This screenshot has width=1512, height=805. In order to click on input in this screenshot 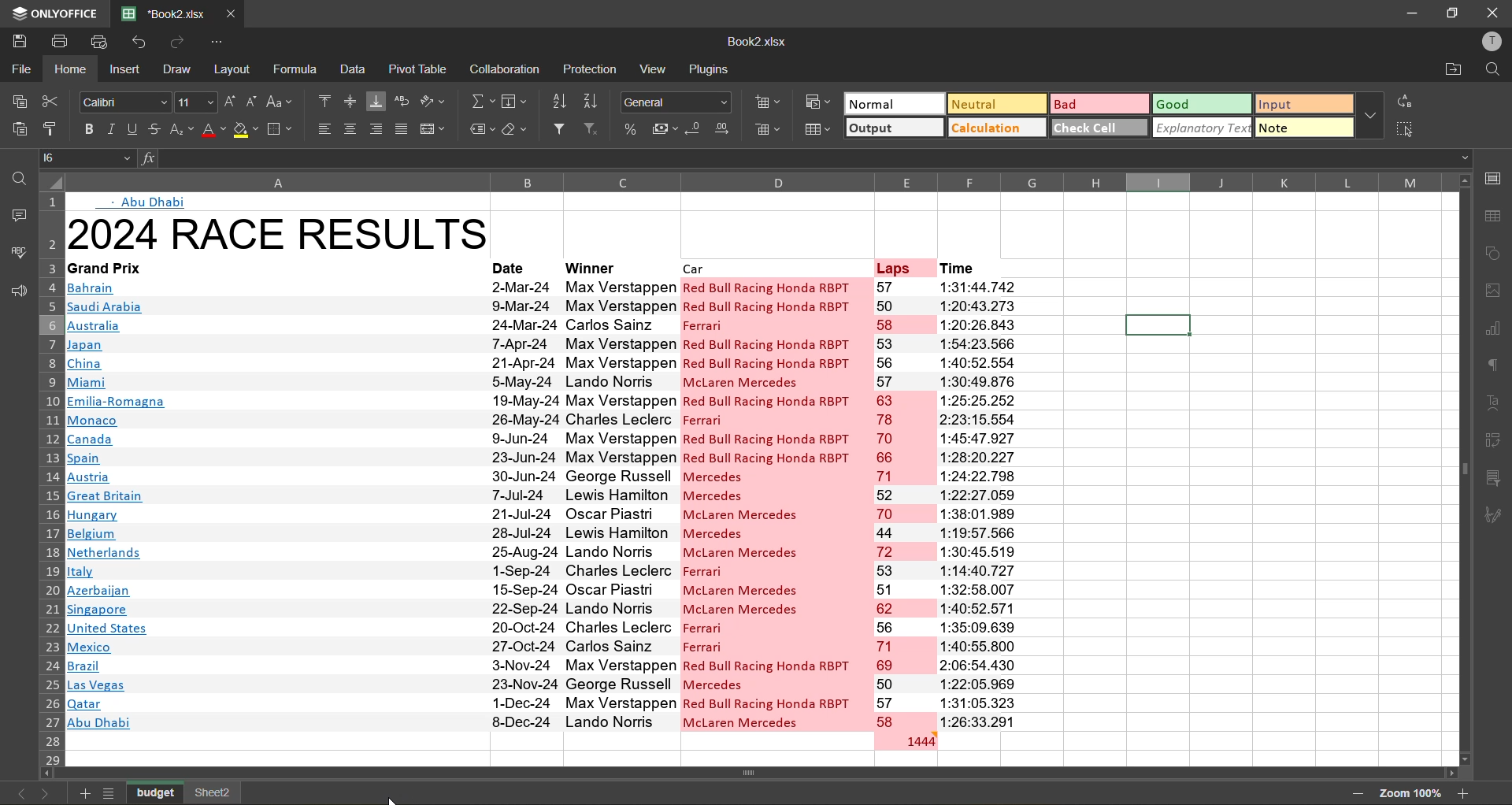, I will do `click(1301, 106)`.